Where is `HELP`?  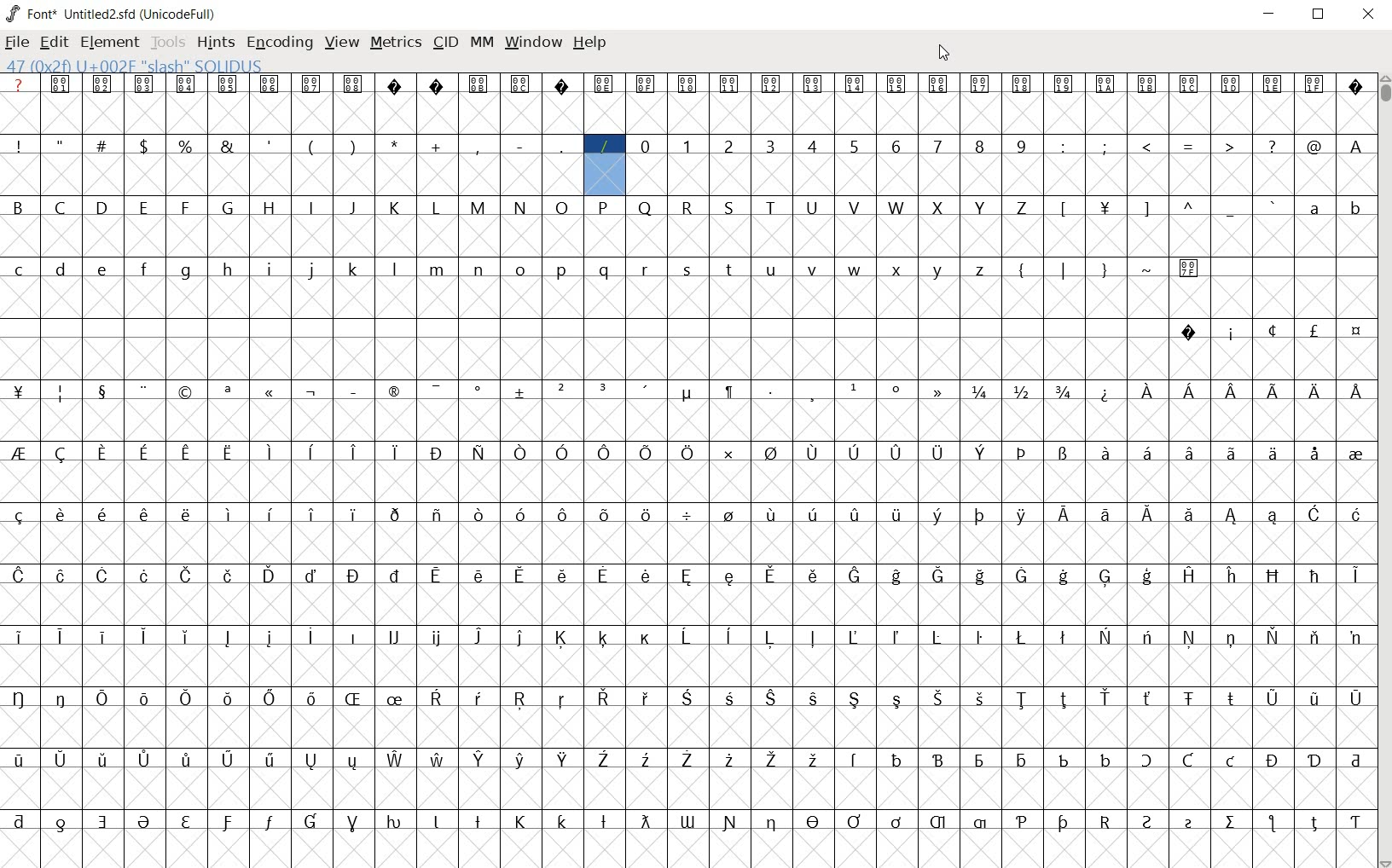
HELP is located at coordinates (591, 44).